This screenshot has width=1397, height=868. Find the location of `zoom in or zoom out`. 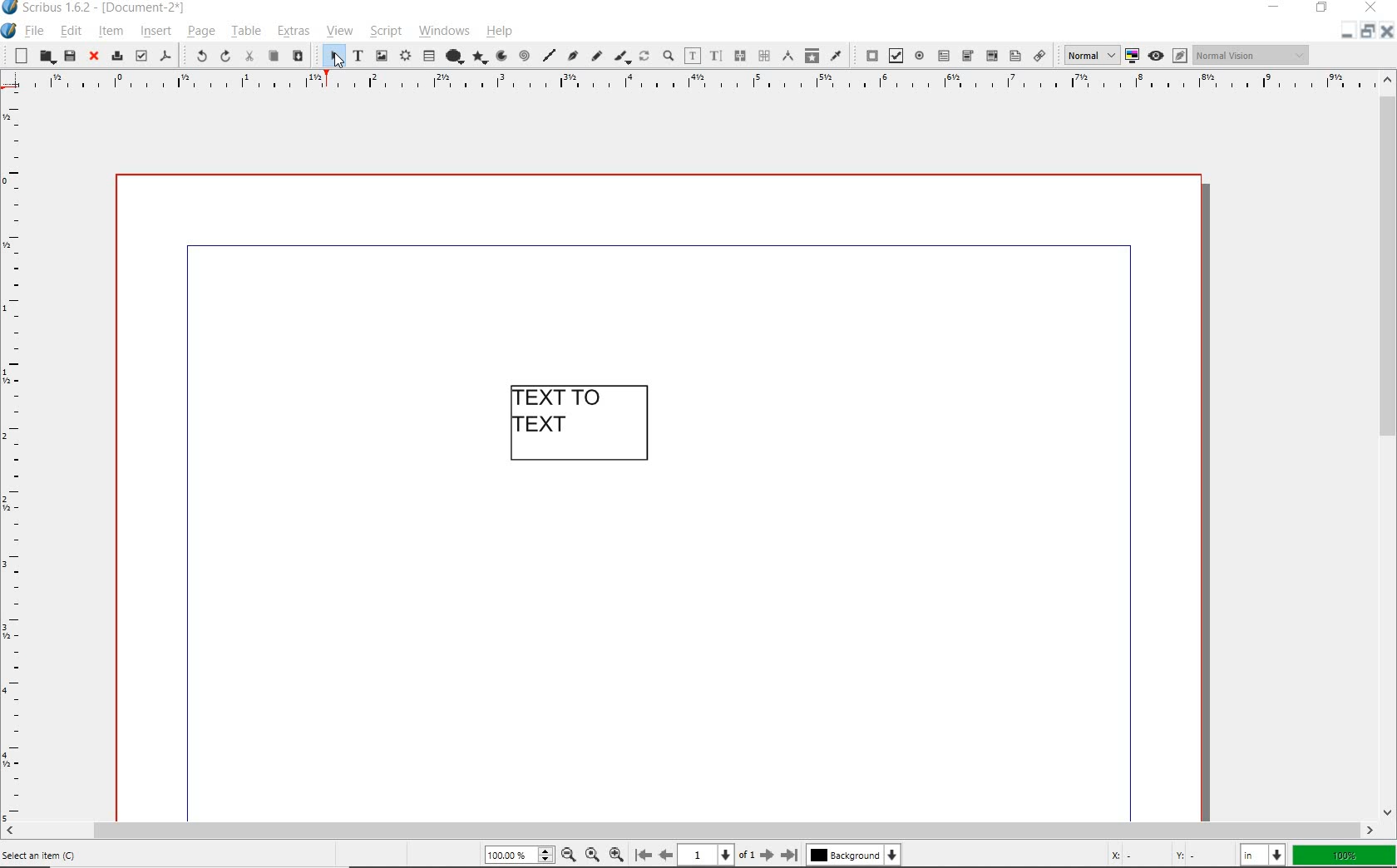

zoom in or zoom out is located at coordinates (668, 57).